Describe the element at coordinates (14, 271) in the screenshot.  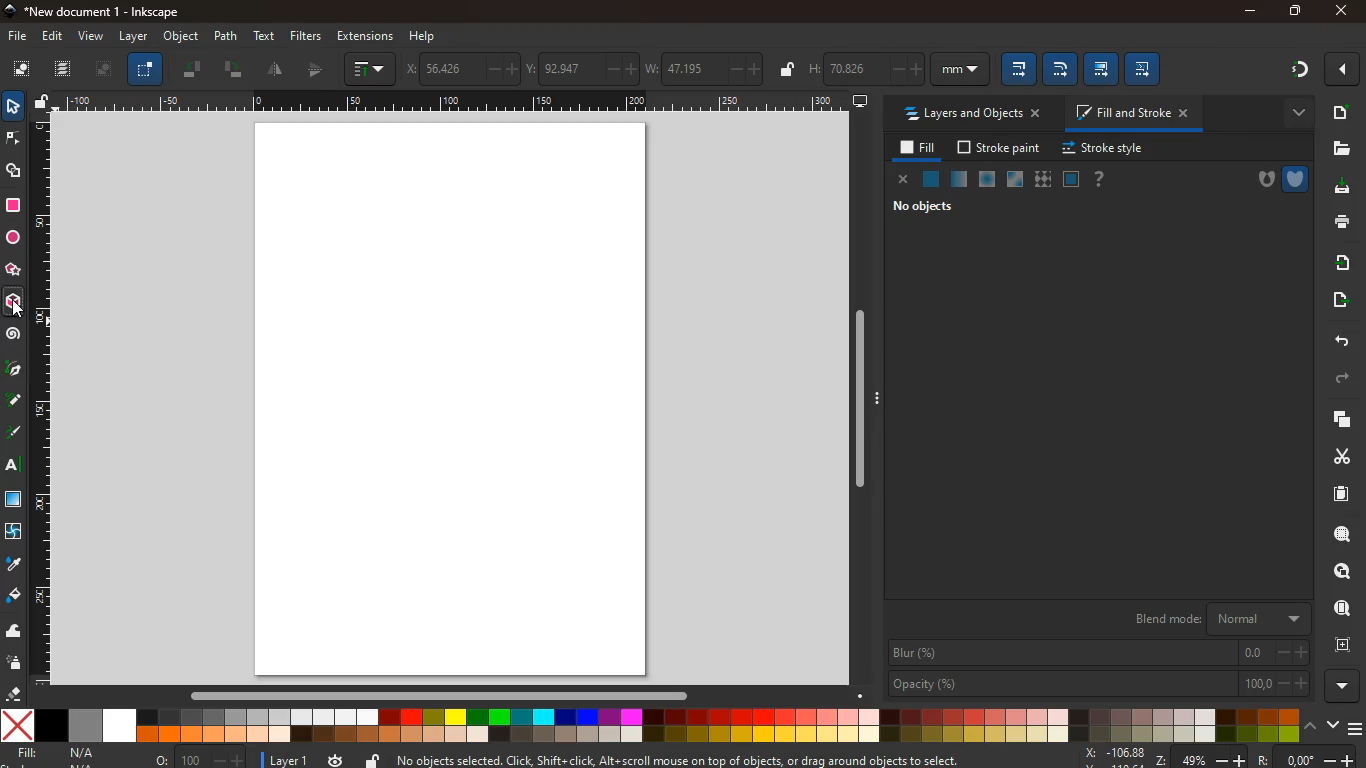
I see `star` at that location.